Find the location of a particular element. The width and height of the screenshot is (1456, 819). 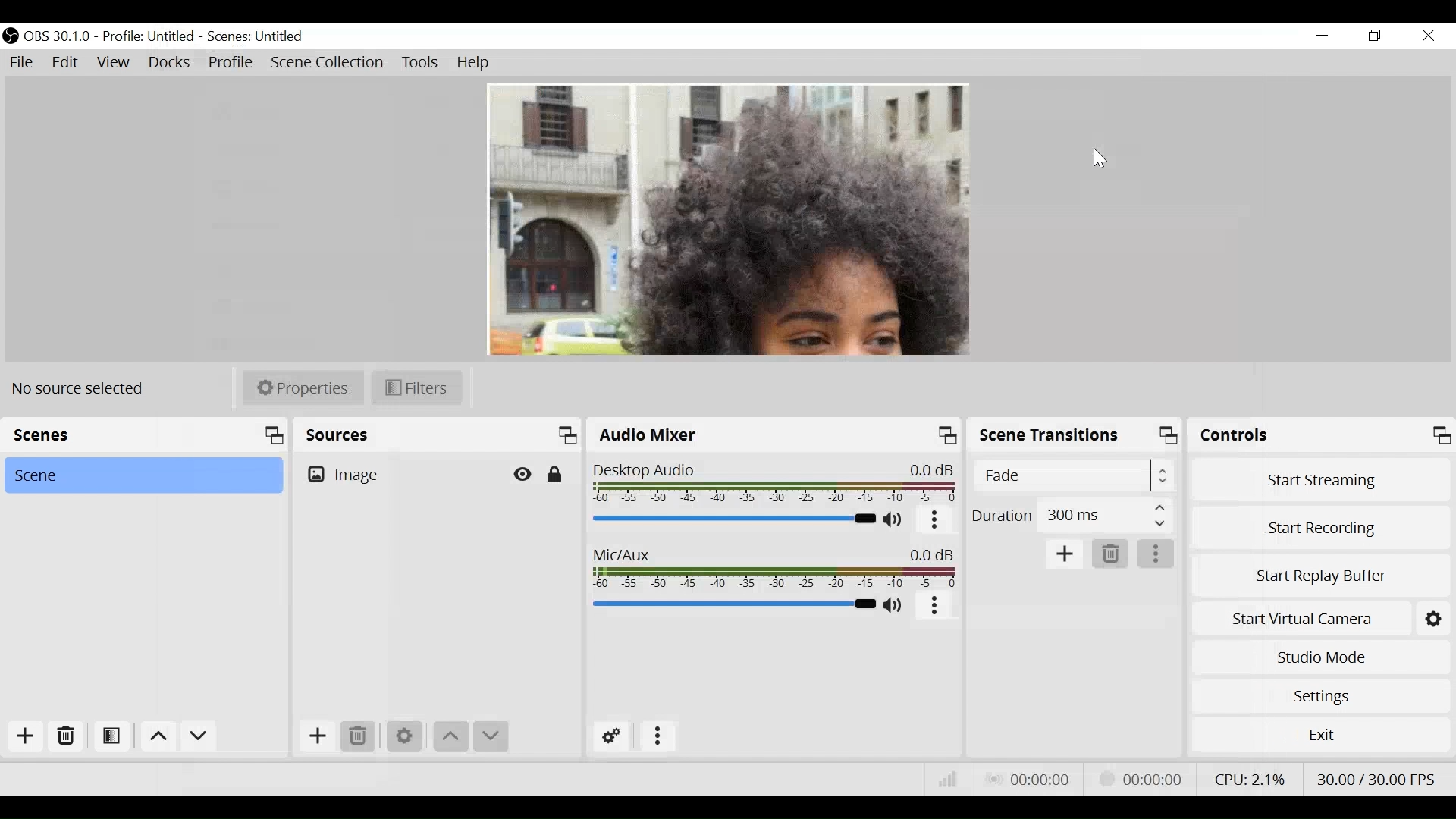

Exit is located at coordinates (1320, 739).